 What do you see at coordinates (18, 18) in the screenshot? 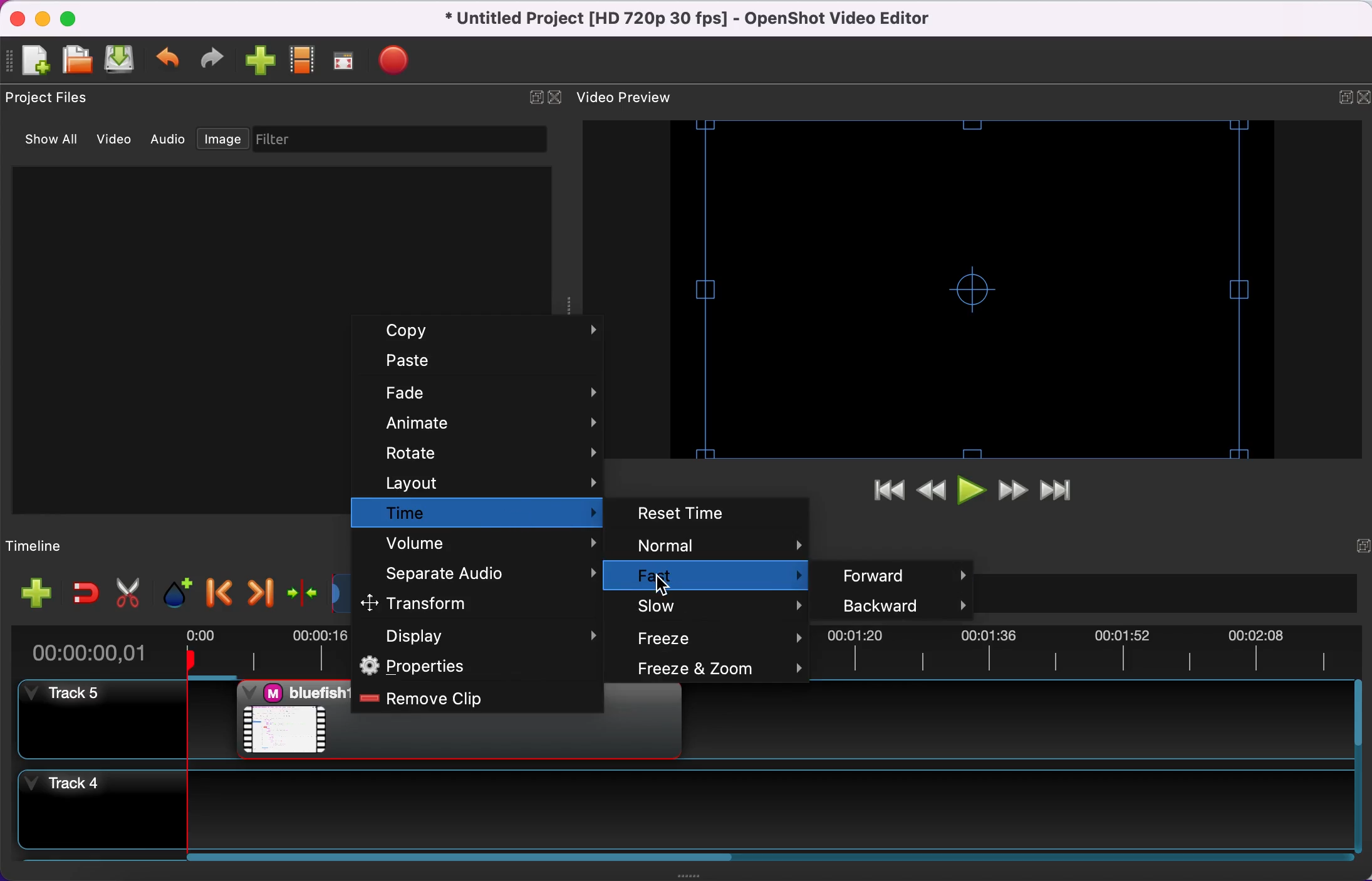
I see `close` at bounding box center [18, 18].